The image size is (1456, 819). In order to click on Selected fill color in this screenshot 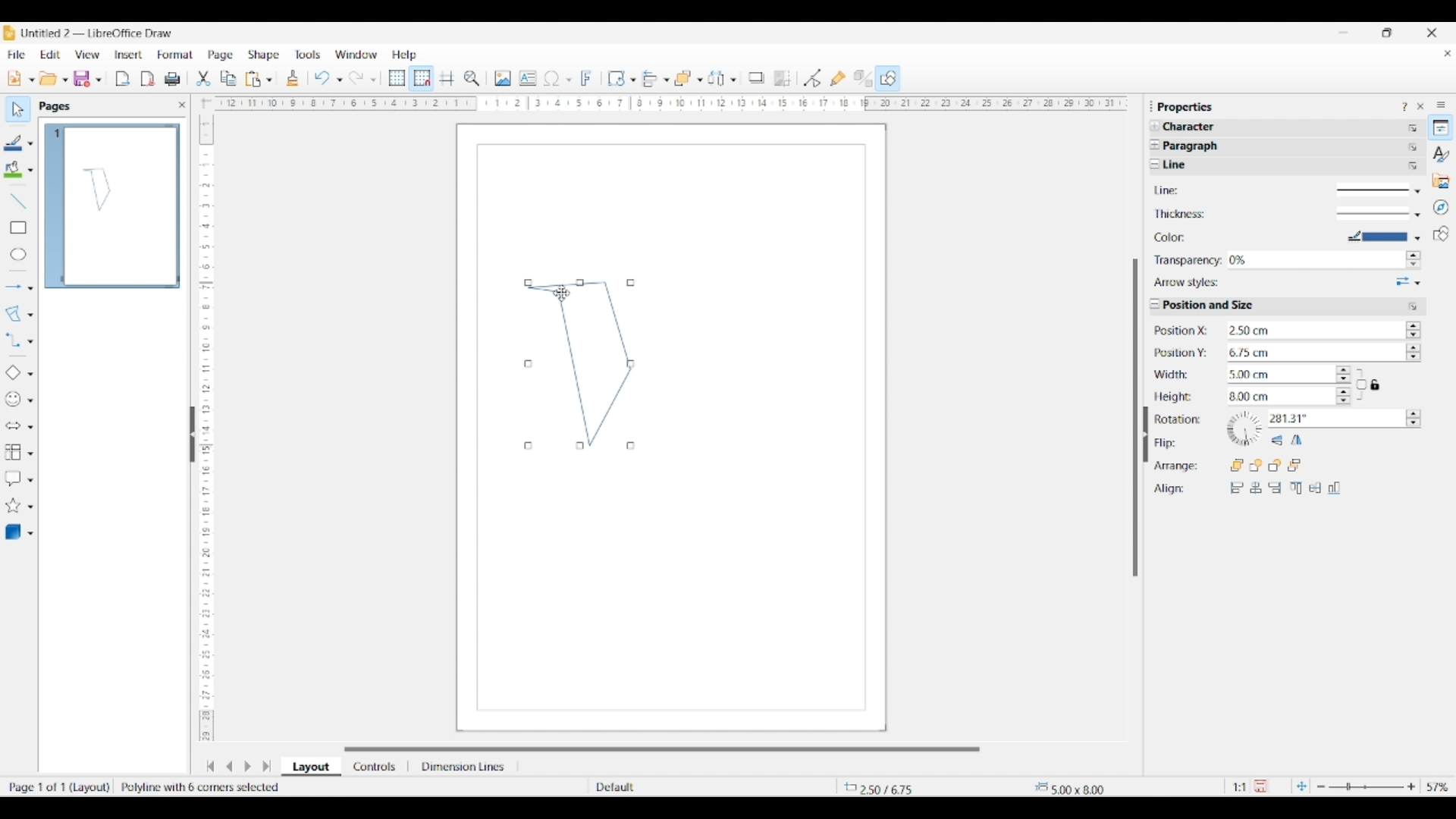, I will do `click(13, 169)`.